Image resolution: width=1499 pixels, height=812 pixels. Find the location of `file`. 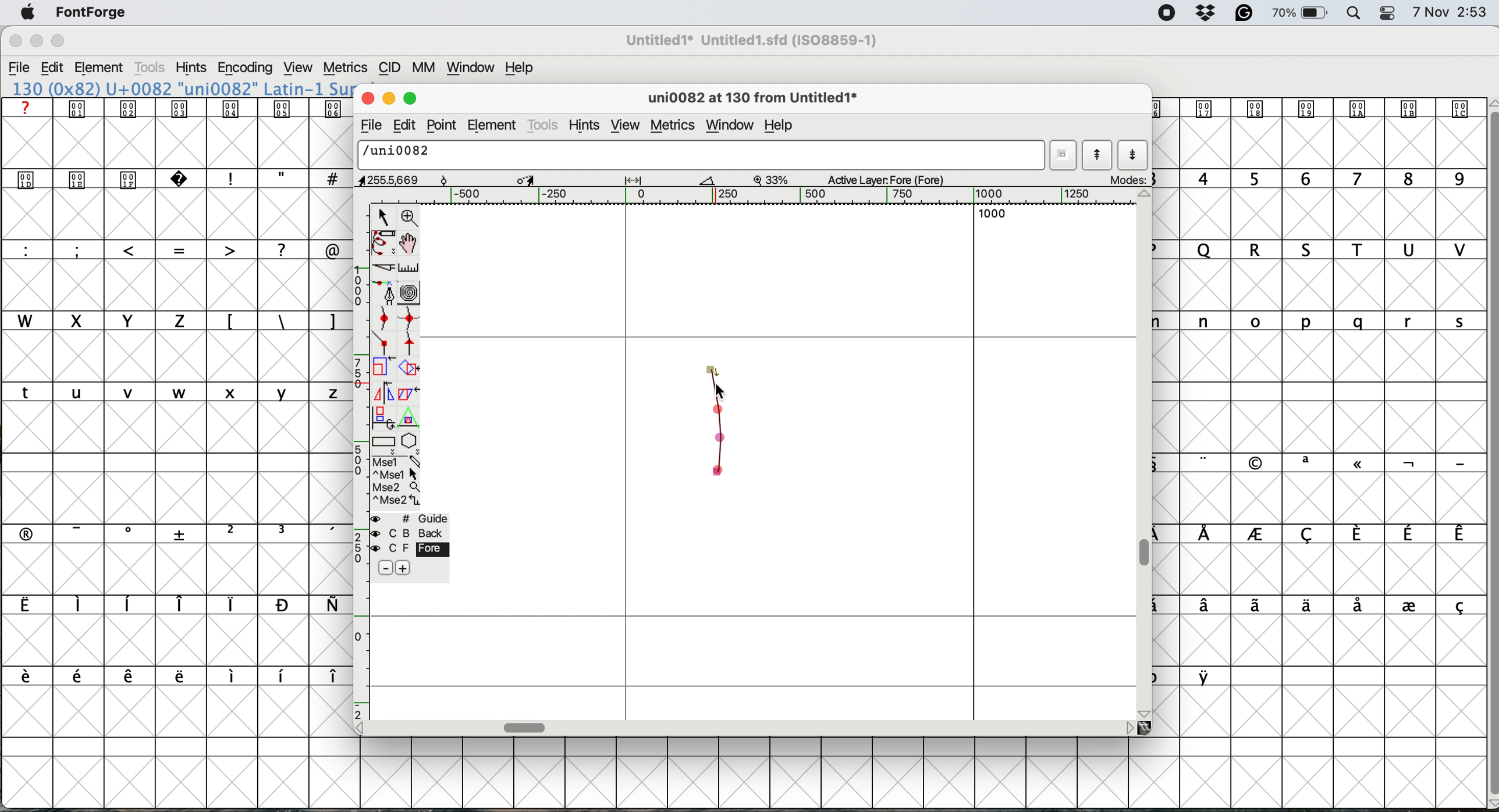

file is located at coordinates (369, 127).